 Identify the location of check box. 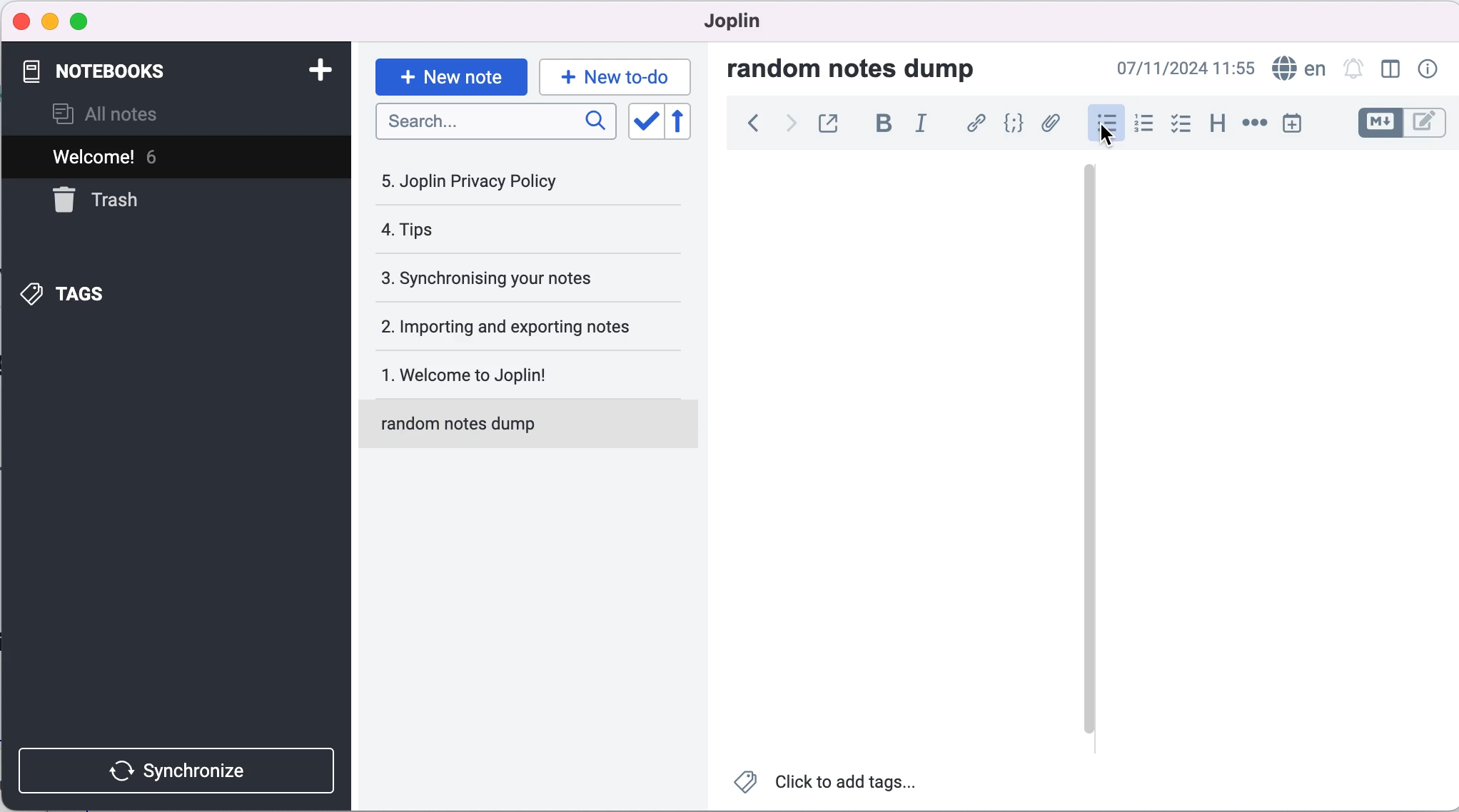
(1177, 123).